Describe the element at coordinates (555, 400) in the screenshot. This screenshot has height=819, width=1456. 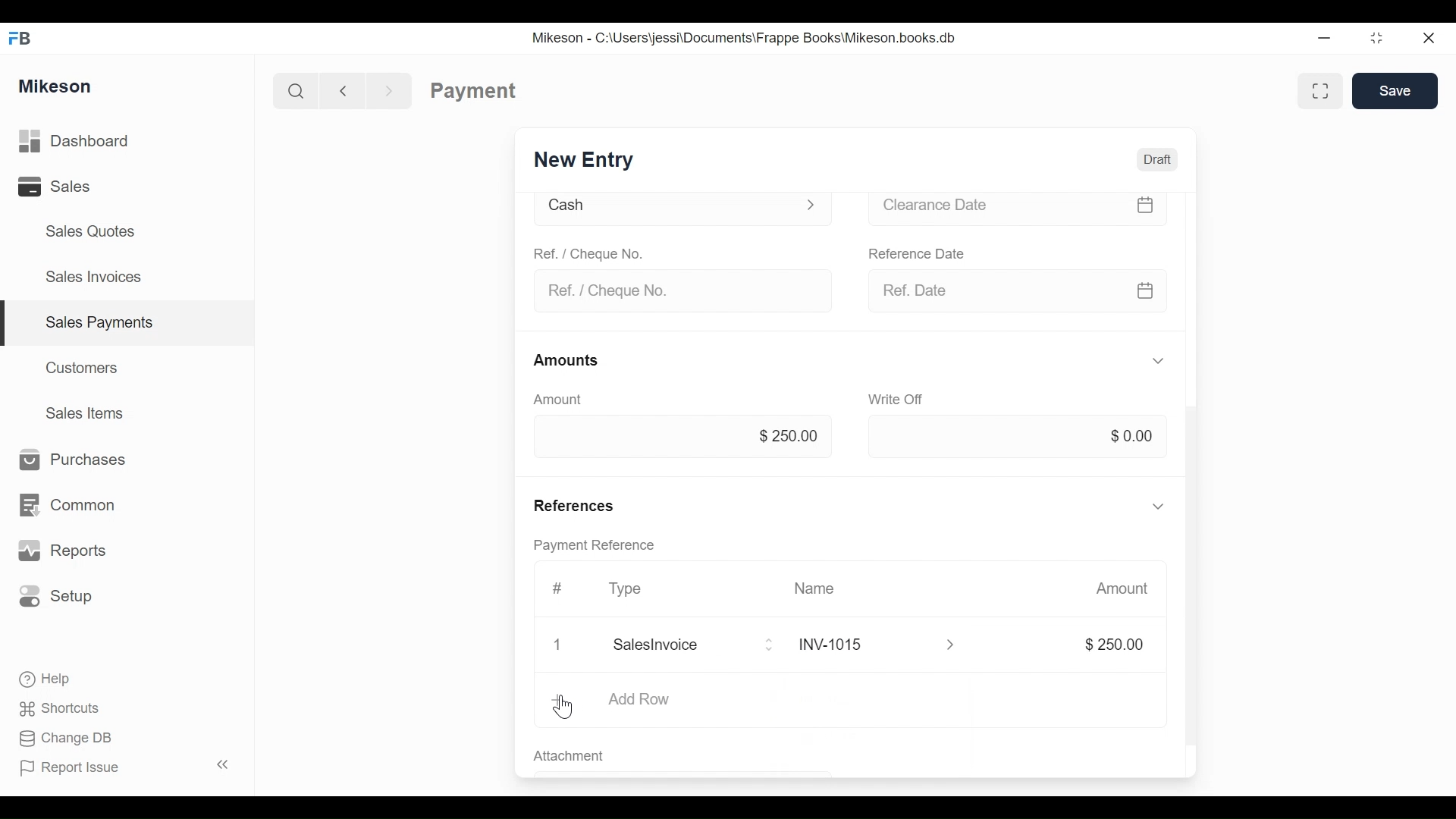
I see `Amount` at that location.